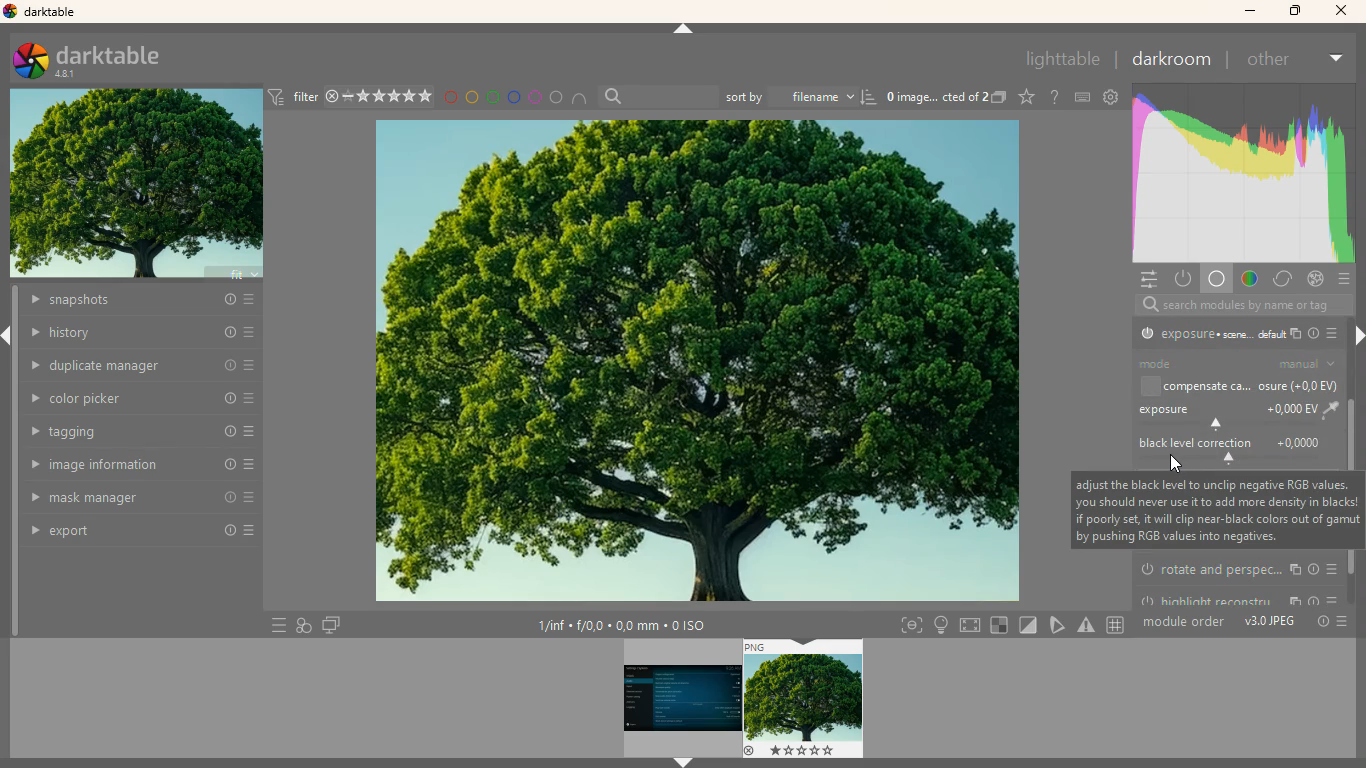 The height and width of the screenshot is (768, 1366). I want to click on history, so click(143, 332).